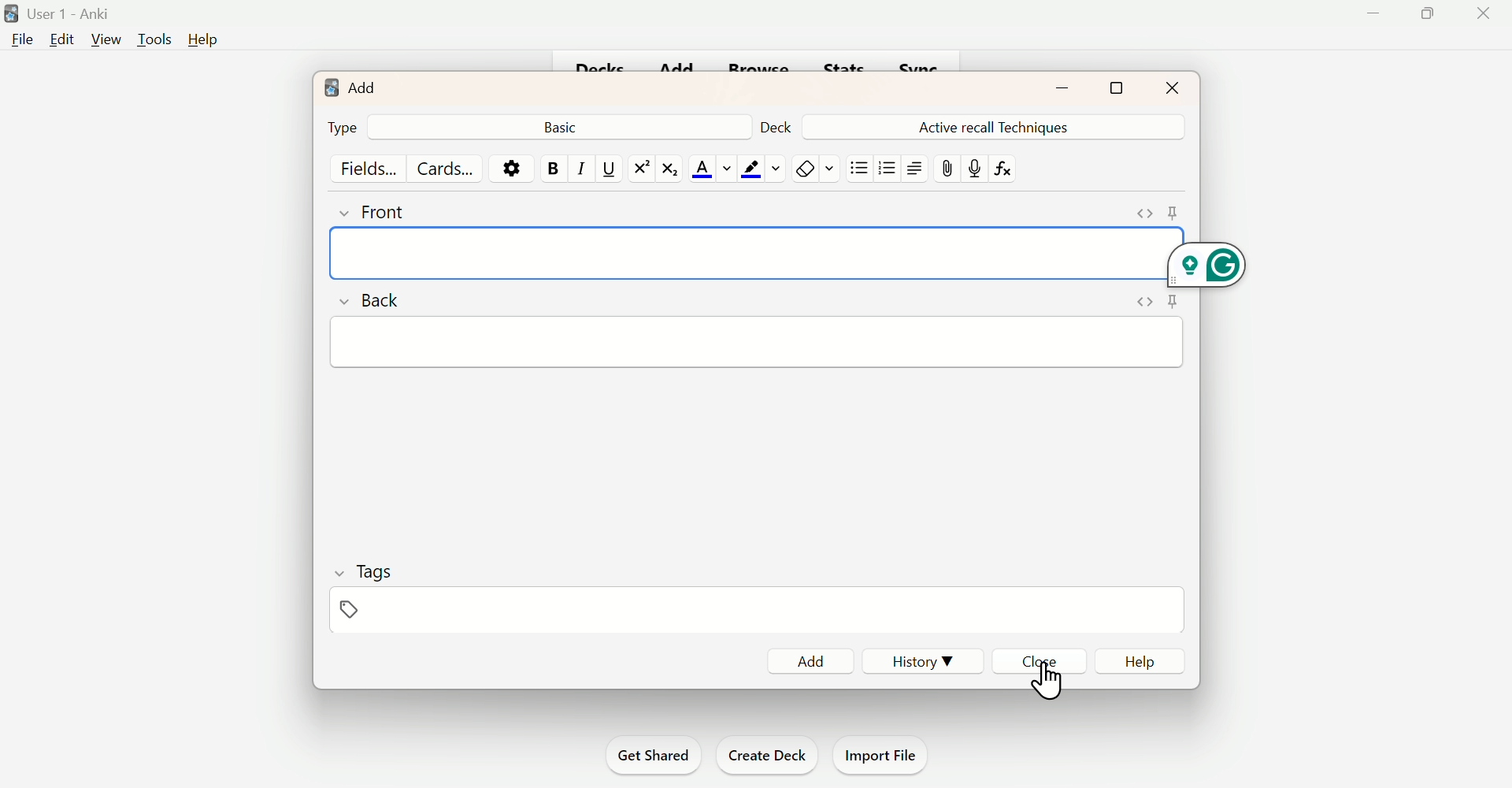 The width and height of the screenshot is (1512, 788). Describe the element at coordinates (102, 40) in the screenshot. I see `View` at that location.